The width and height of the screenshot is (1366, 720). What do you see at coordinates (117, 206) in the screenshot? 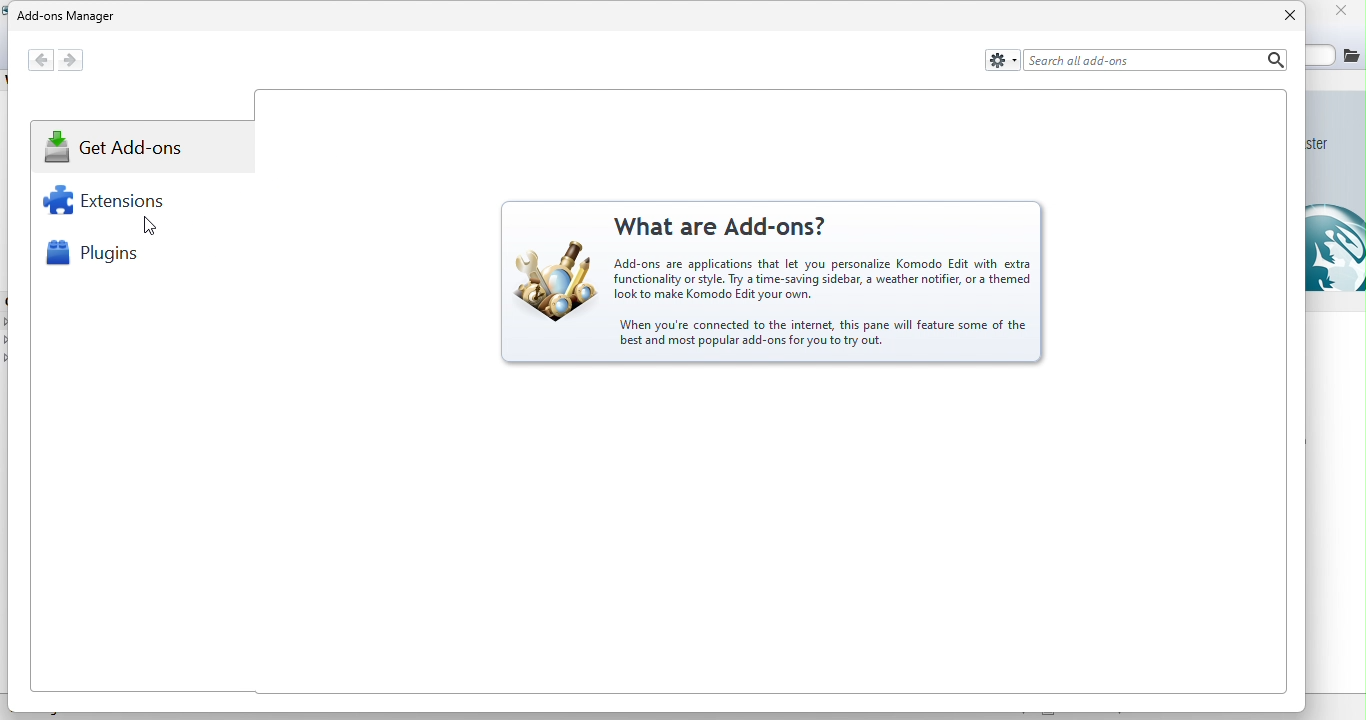
I see `extensions` at bounding box center [117, 206].